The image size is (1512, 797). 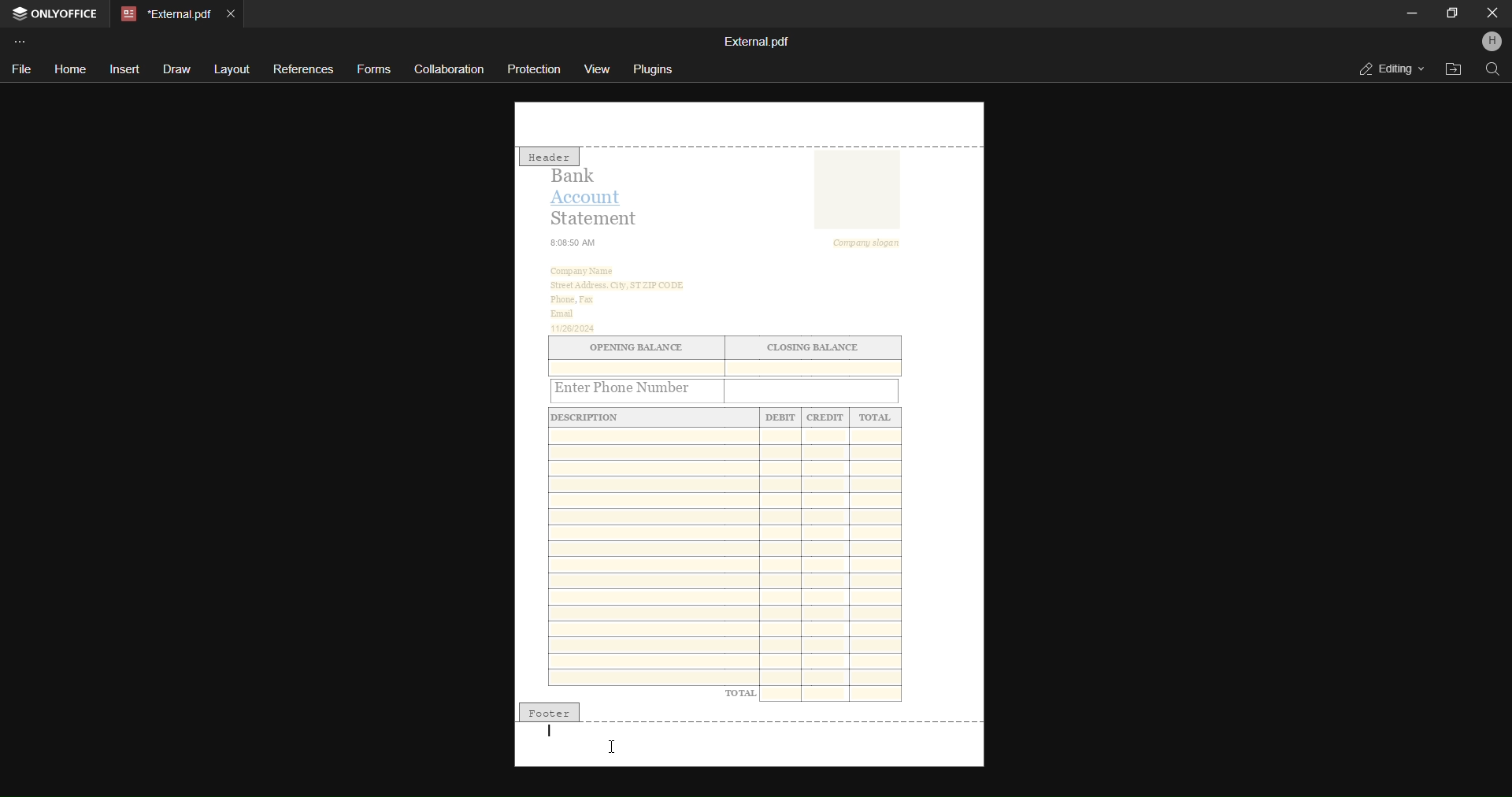 I want to click on ‘Phone, Fax, so click(x=572, y=300).